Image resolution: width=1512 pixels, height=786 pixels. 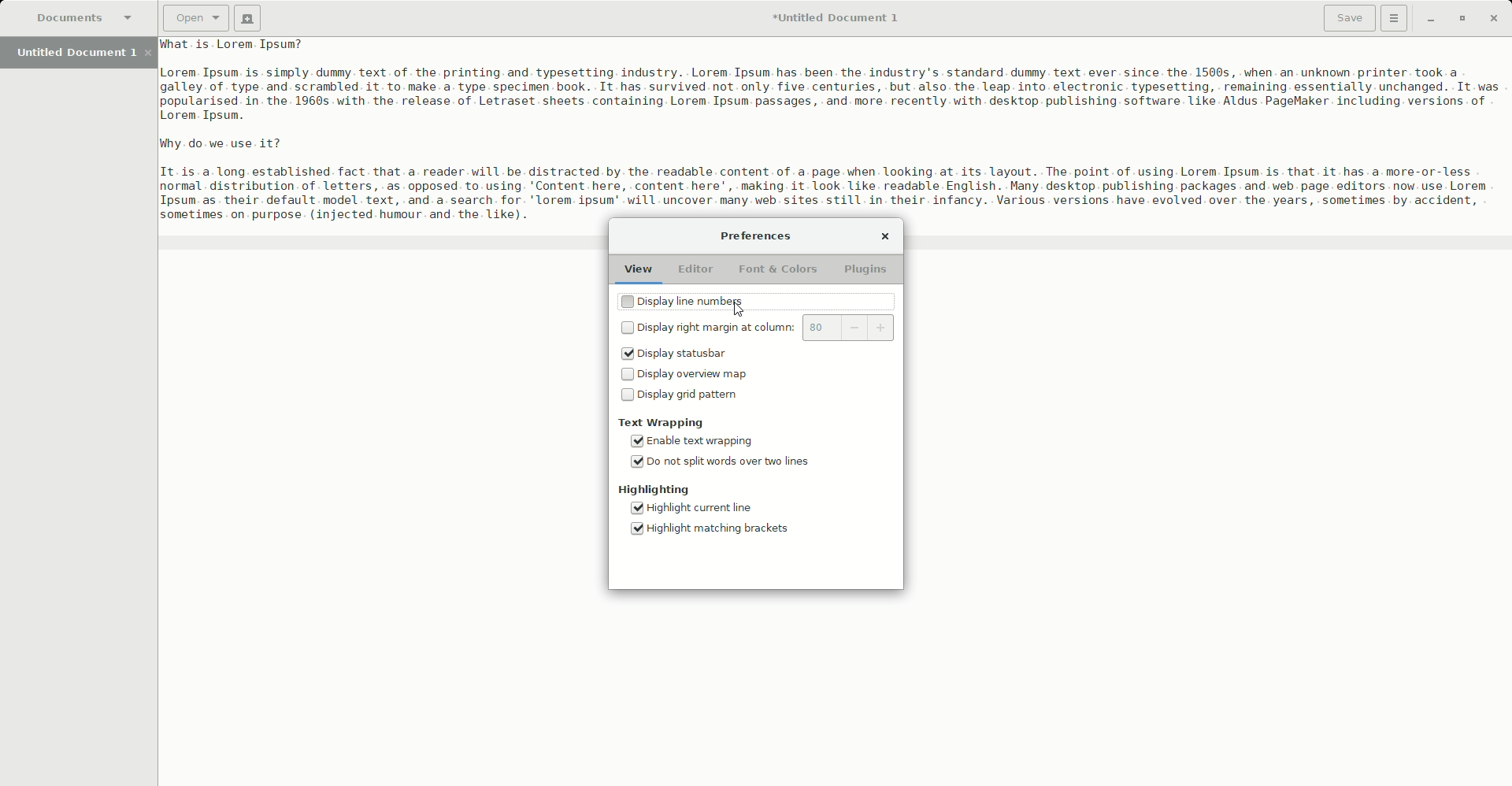 I want to click on Save, so click(x=1342, y=19).